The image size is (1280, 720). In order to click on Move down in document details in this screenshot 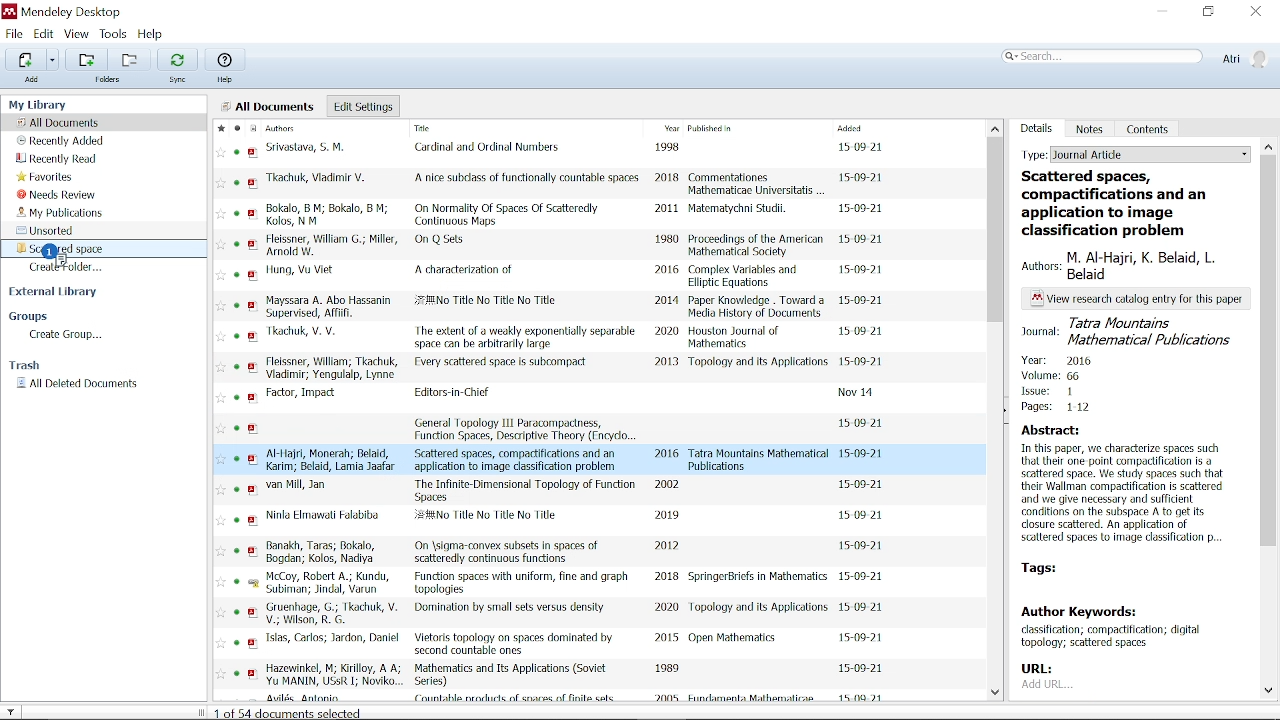, I will do `click(1269, 691)`.